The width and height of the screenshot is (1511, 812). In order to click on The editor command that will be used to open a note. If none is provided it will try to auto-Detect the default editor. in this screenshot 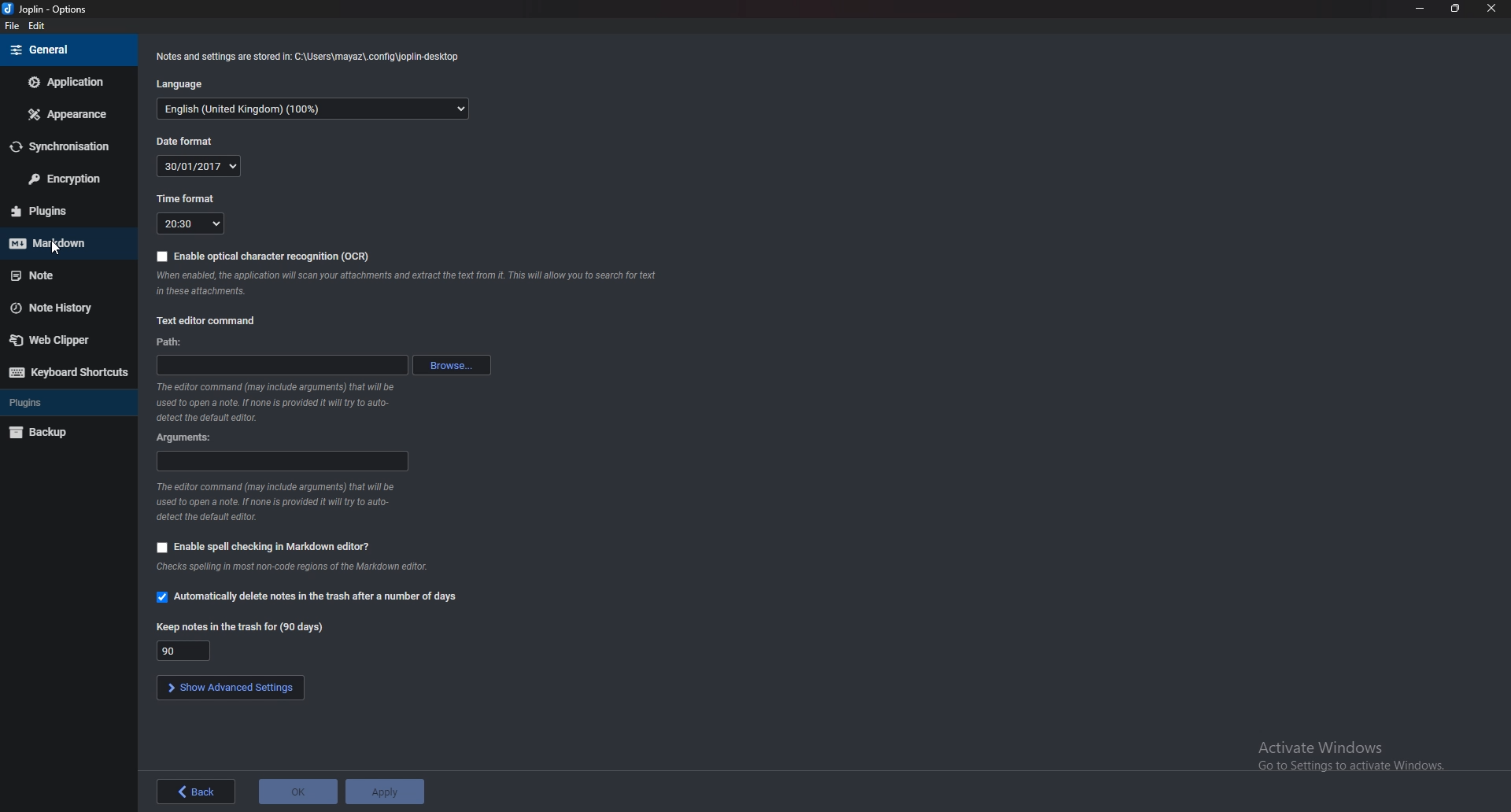, I will do `click(286, 502)`.